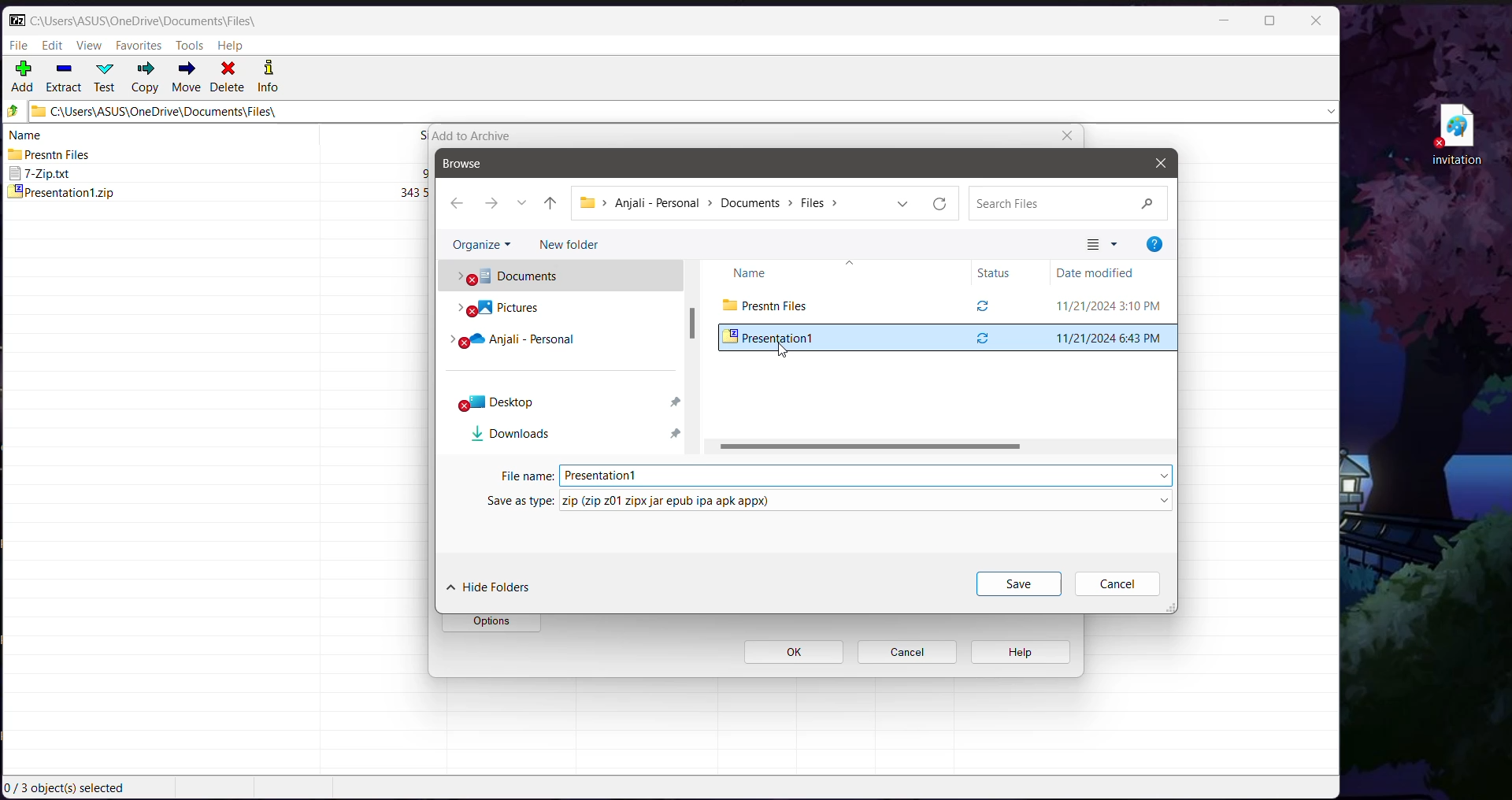  I want to click on Test, so click(106, 76).